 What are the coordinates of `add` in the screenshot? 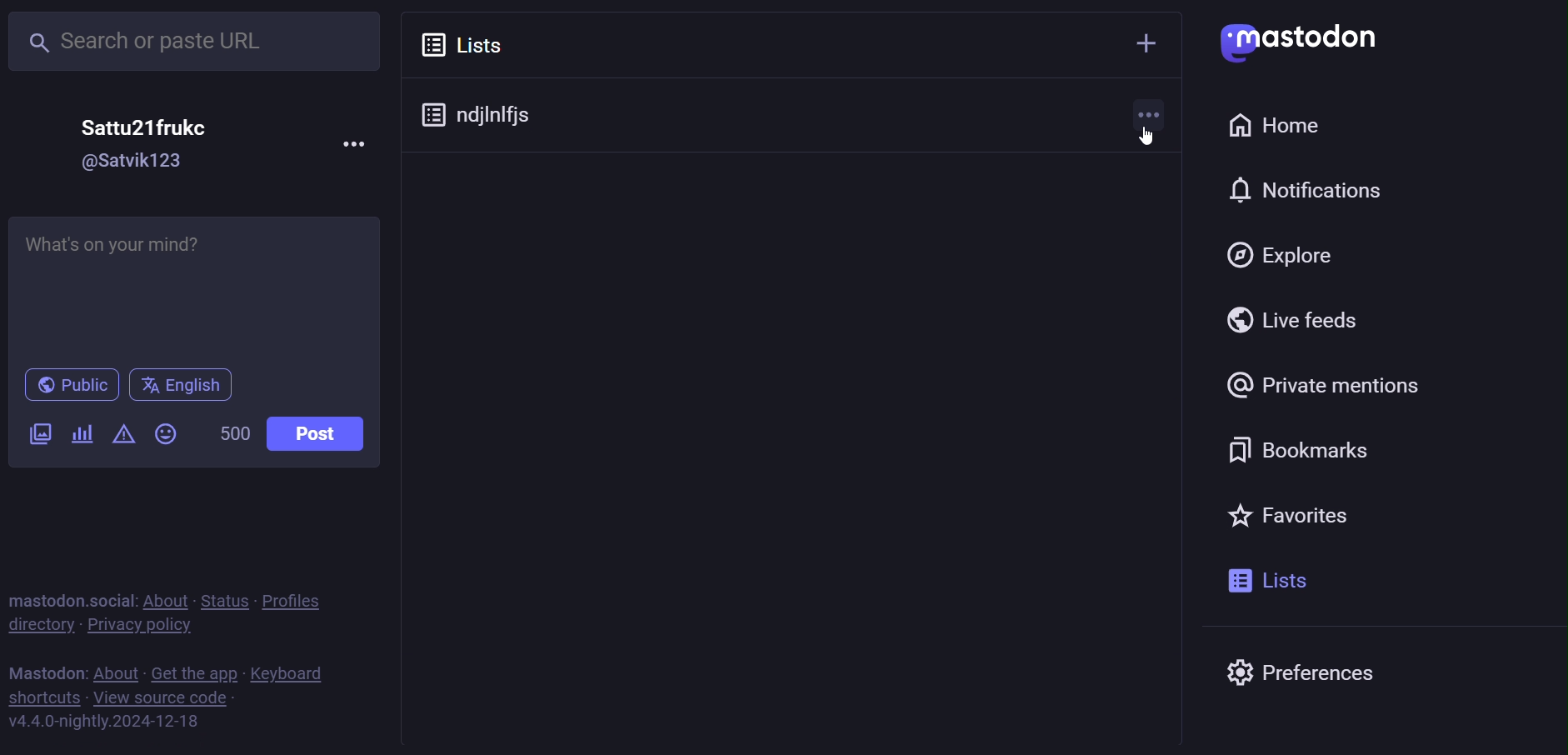 It's located at (1145, 47).